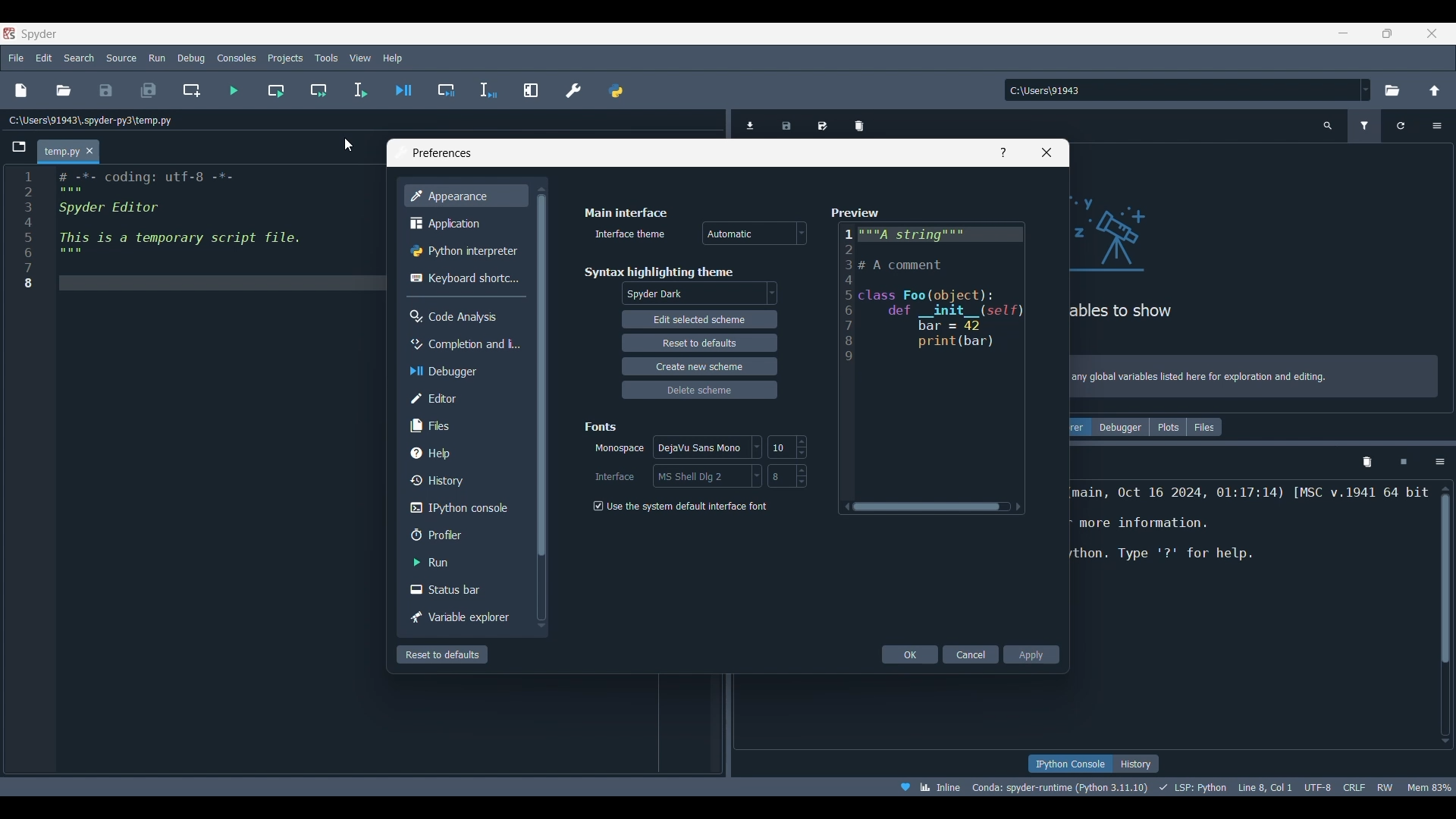  I want to click on PYTHONPATH manager, so click(616, 91).